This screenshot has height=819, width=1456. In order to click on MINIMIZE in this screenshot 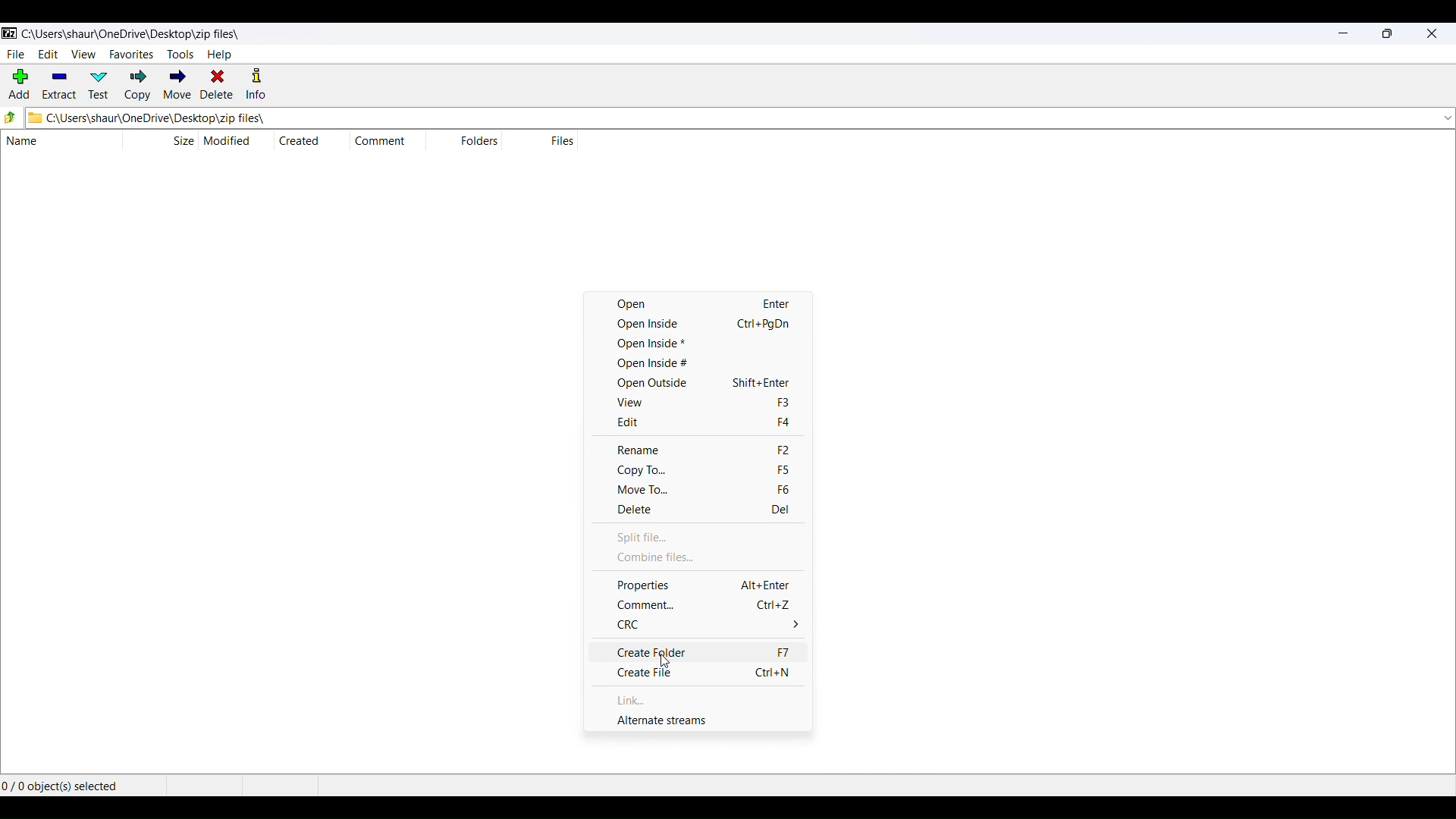, I will do `click(1344, 35)`.